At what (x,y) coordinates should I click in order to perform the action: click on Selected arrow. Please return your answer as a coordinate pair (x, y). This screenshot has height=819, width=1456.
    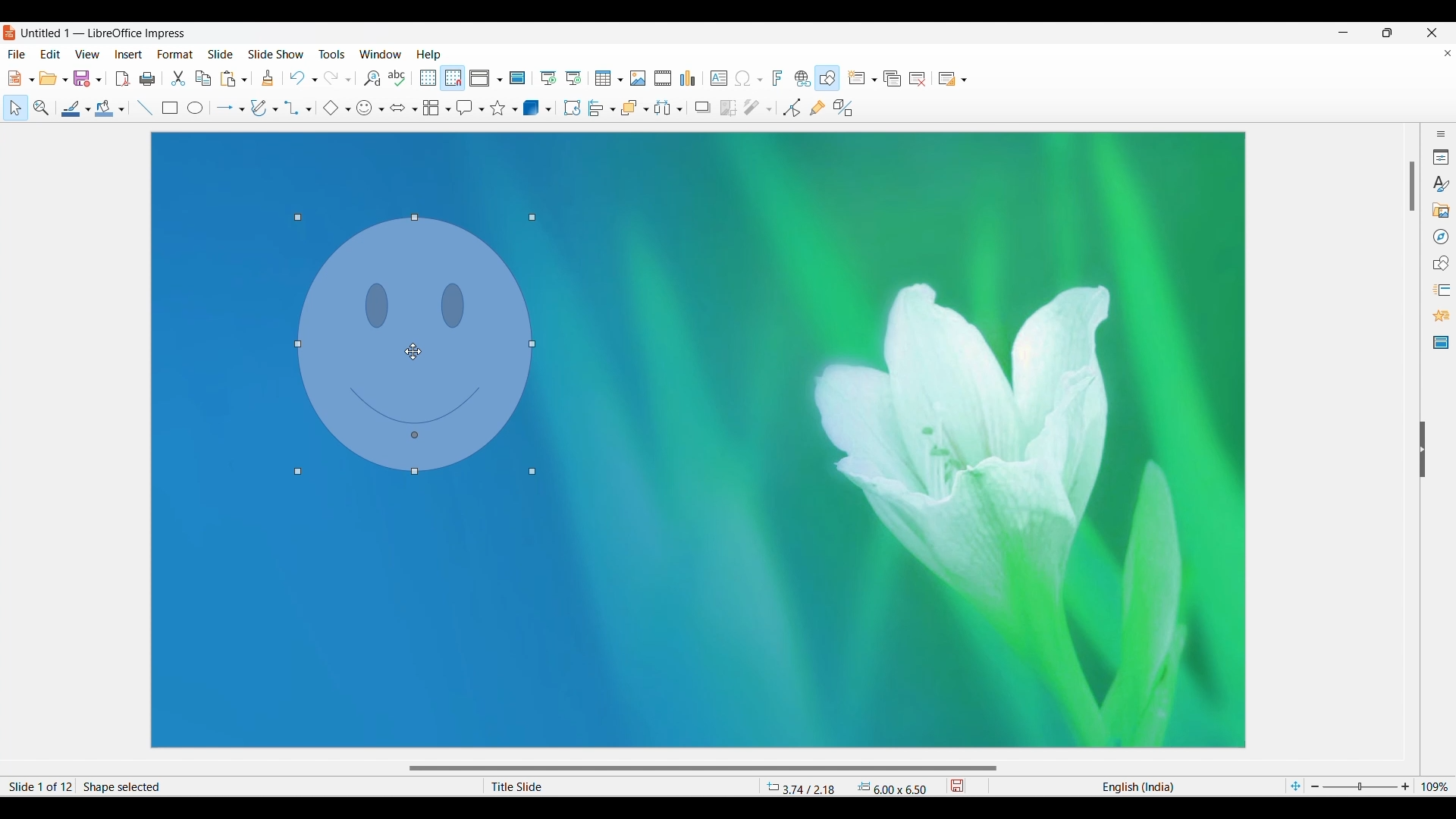
    Looking at the image, I should click on (225, 108).